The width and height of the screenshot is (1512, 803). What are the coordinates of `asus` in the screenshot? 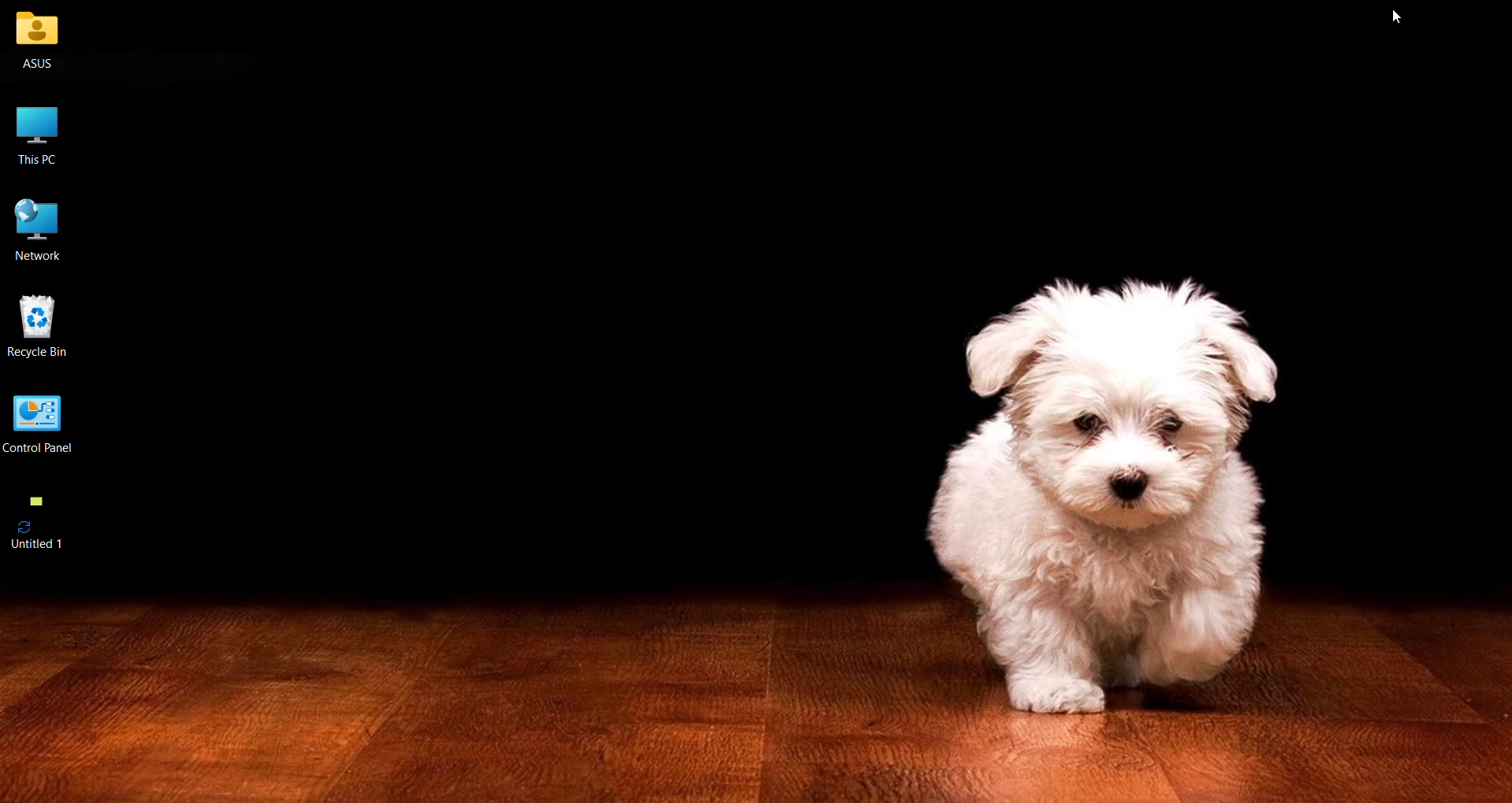 It's located at (40, 43).